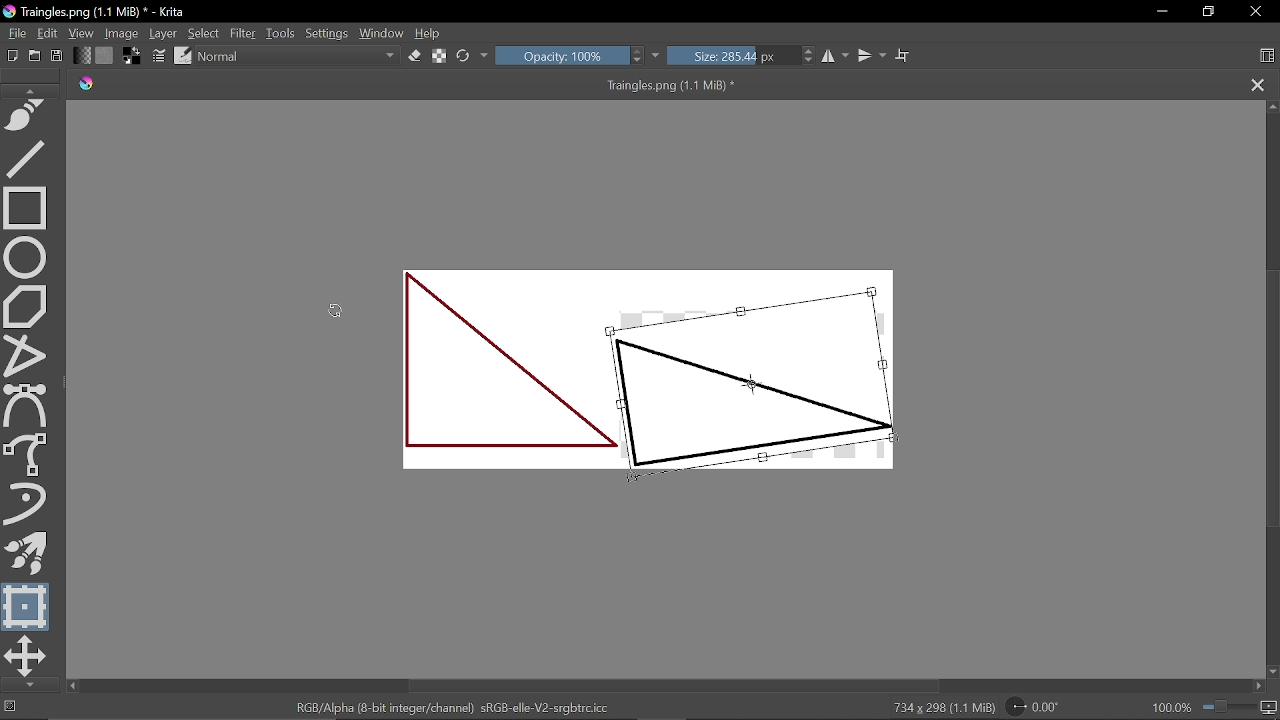 Image resolution: width=1280 pixels, height=720 pixels. Describe the element at coordinates (8, 707) in the screenshot. I see `No selection` at that location.